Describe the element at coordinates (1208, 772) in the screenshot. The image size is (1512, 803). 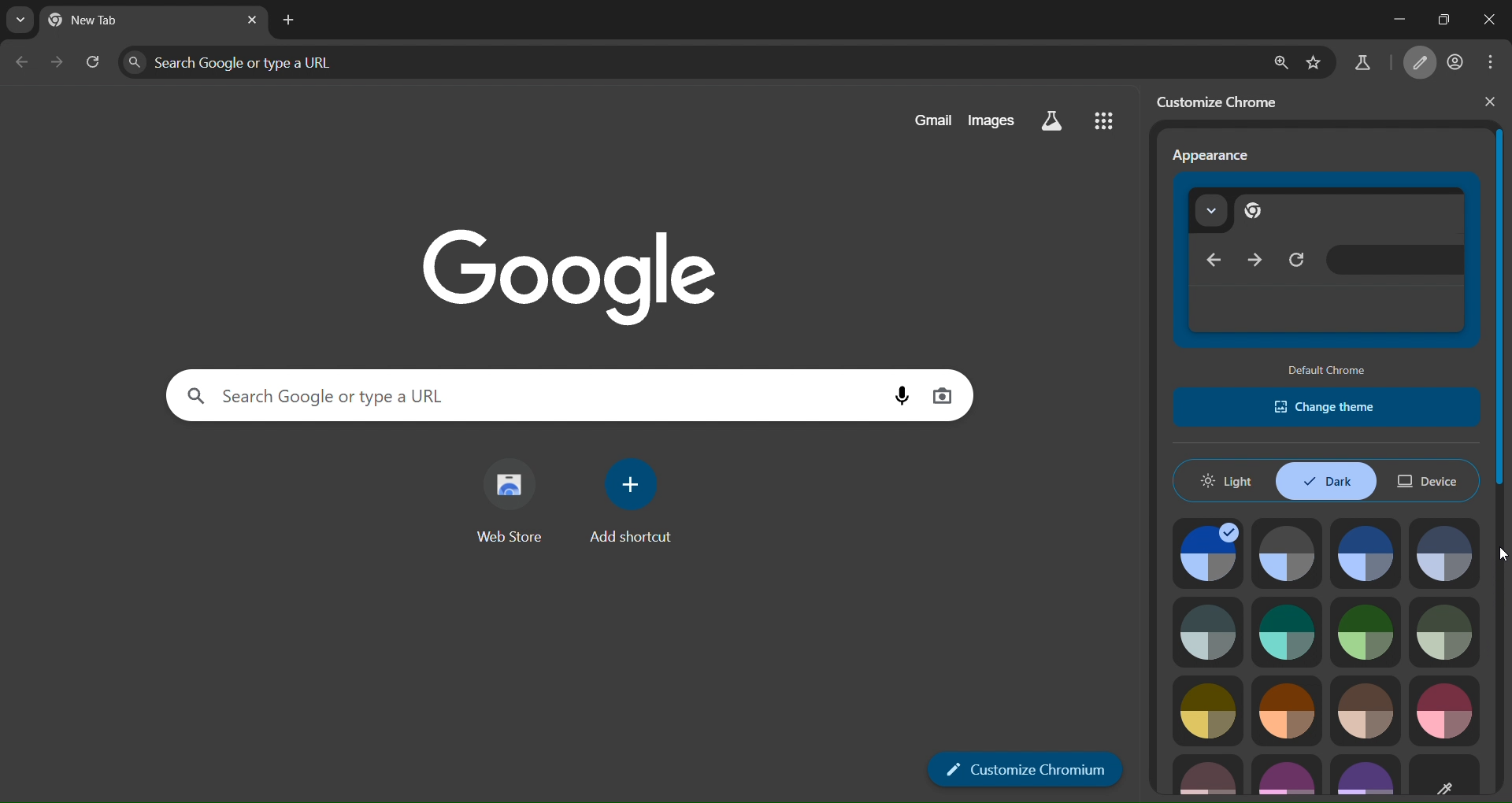
I see `theme` at that location.